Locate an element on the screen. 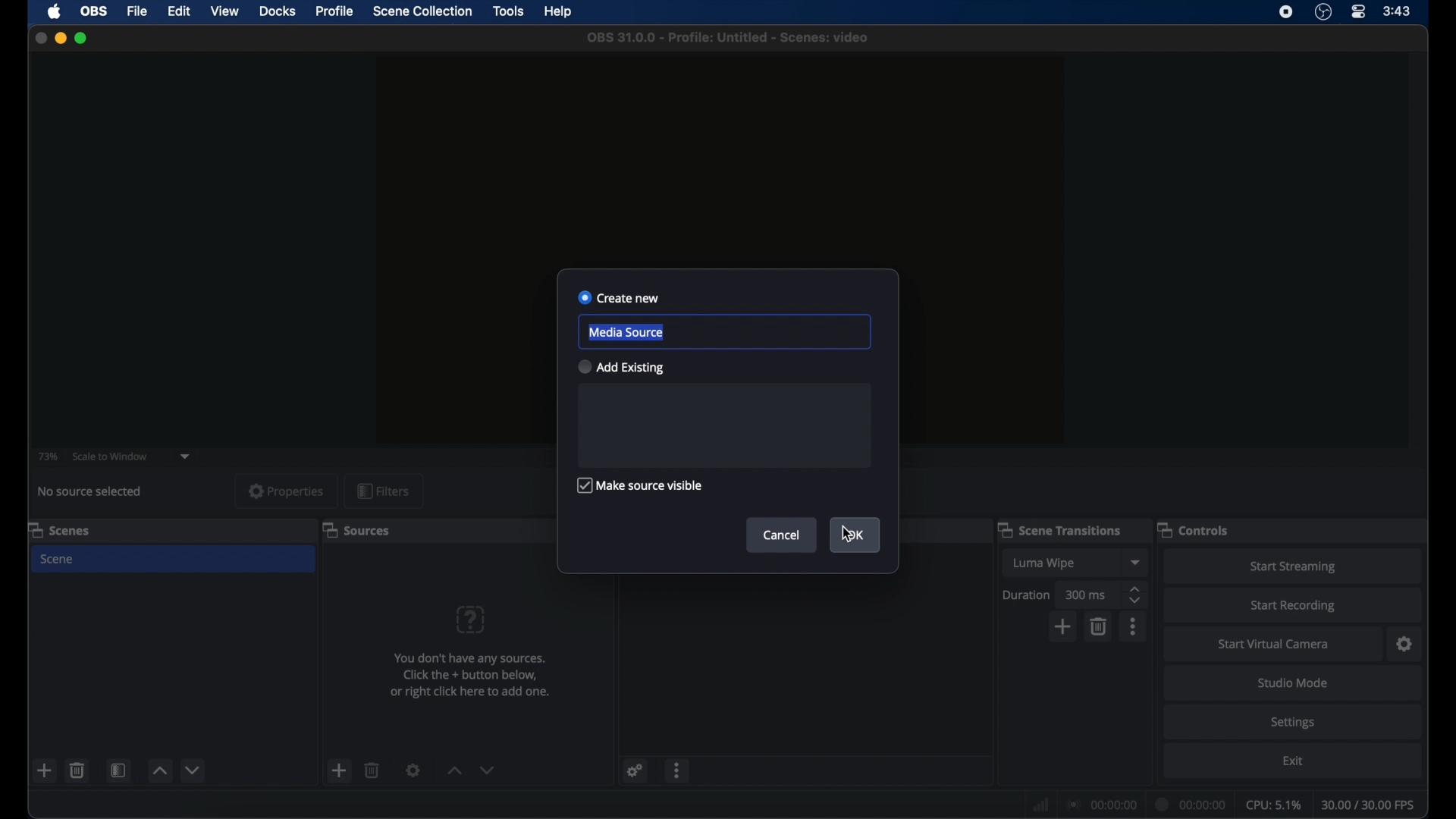 The image size is (1456, 819). settings is located at coordinates (1294, 723).